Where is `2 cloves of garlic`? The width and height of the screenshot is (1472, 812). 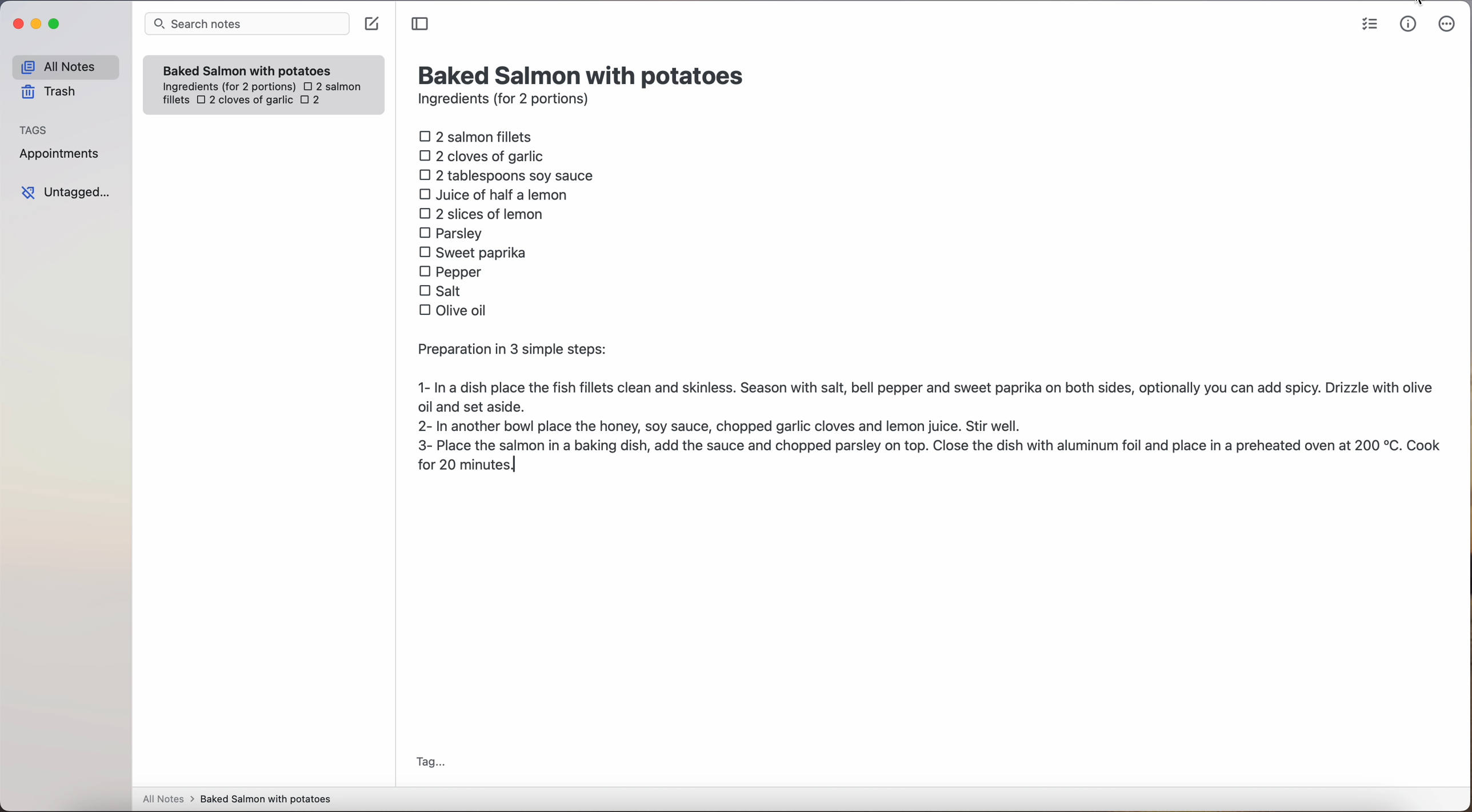
2 cloves of garlic is located at coordinates (245, 101).